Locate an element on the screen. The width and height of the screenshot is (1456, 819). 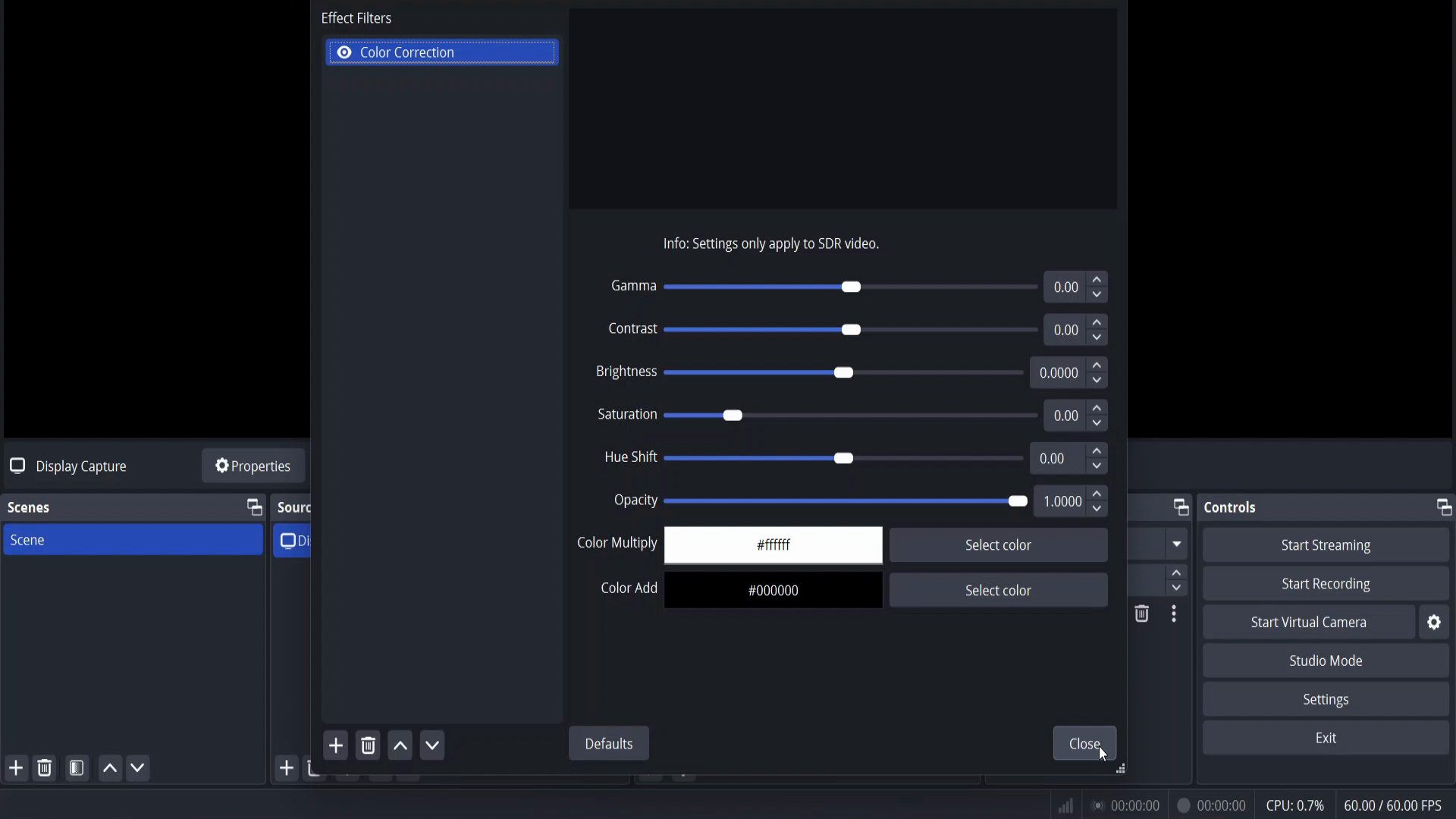
UP is located at coordinates (107, 772).